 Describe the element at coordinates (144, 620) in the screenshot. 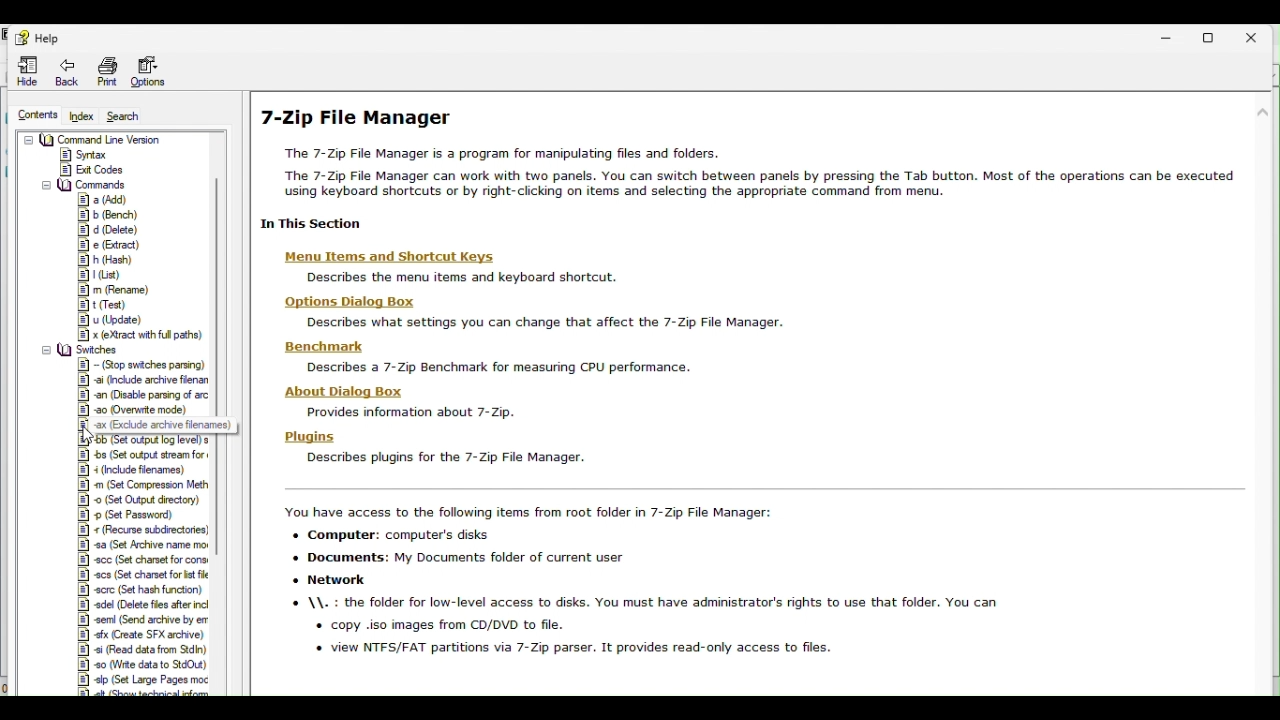

I see `#] semi (Send archive by er` at that location.